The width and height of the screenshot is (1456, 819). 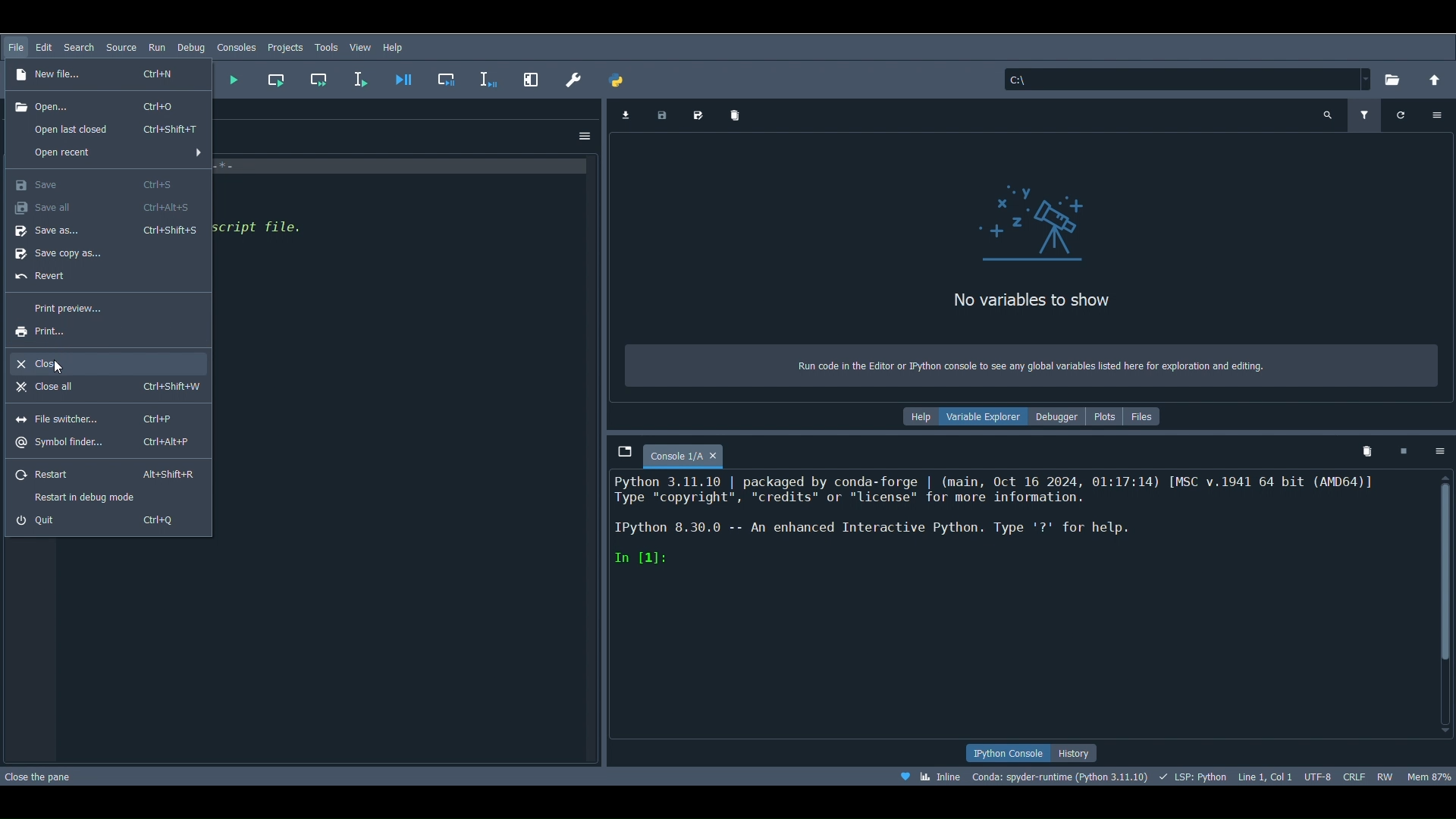 I want to click on Save all, so click(x=102, y=206).